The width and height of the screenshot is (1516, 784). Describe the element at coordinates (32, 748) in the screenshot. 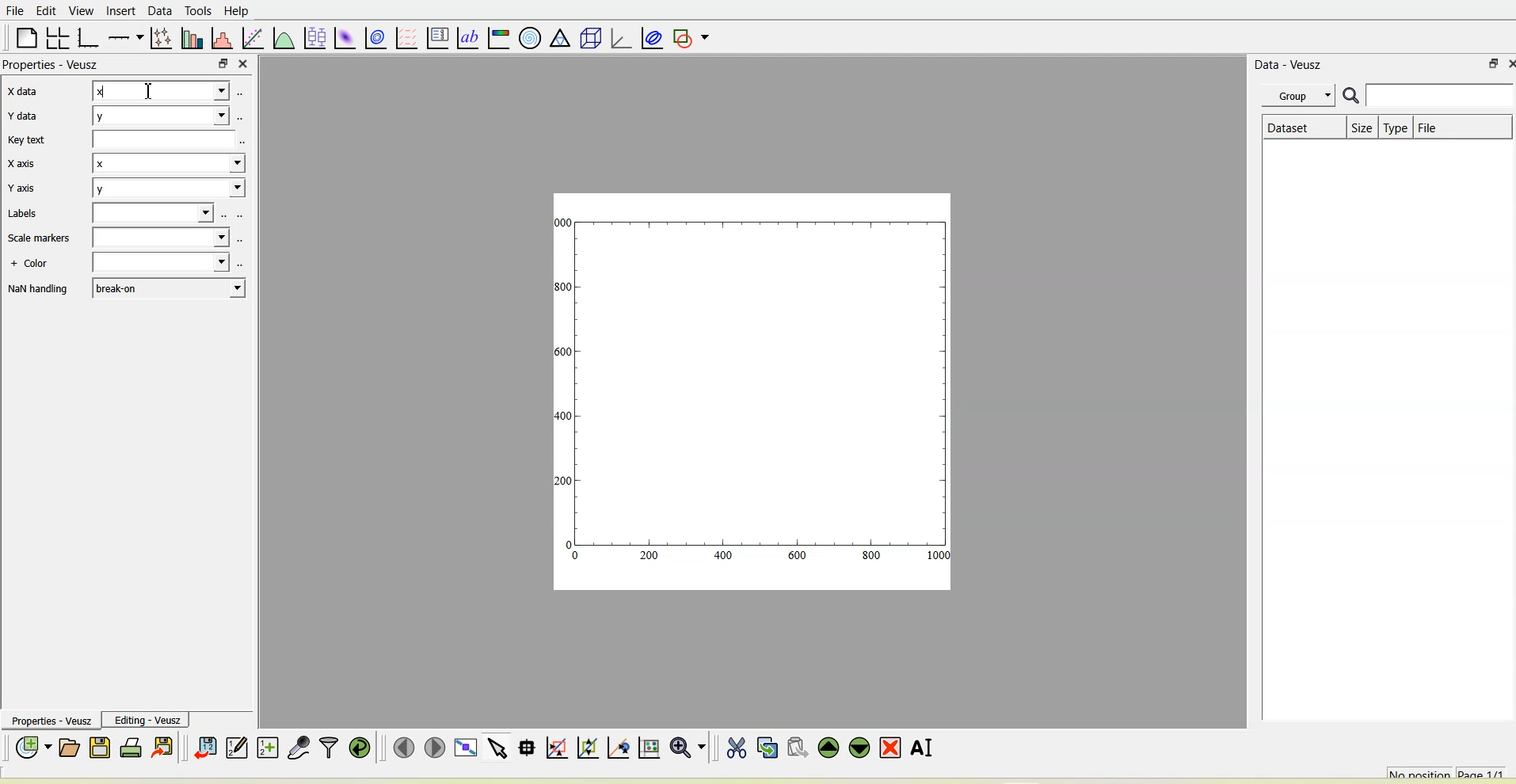

I see `New document` at that location.